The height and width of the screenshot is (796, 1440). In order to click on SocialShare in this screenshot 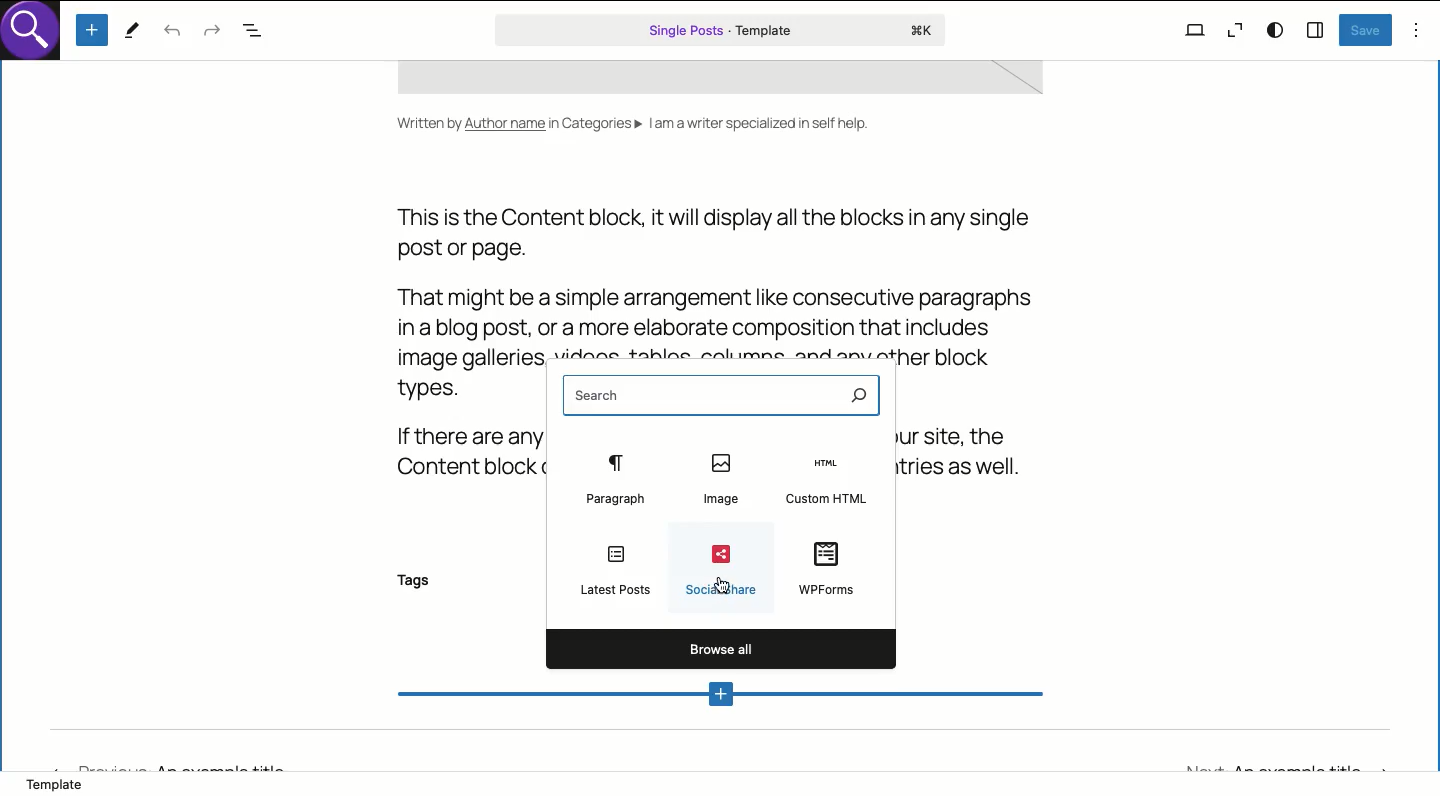, I will do `click(724, 566)`.